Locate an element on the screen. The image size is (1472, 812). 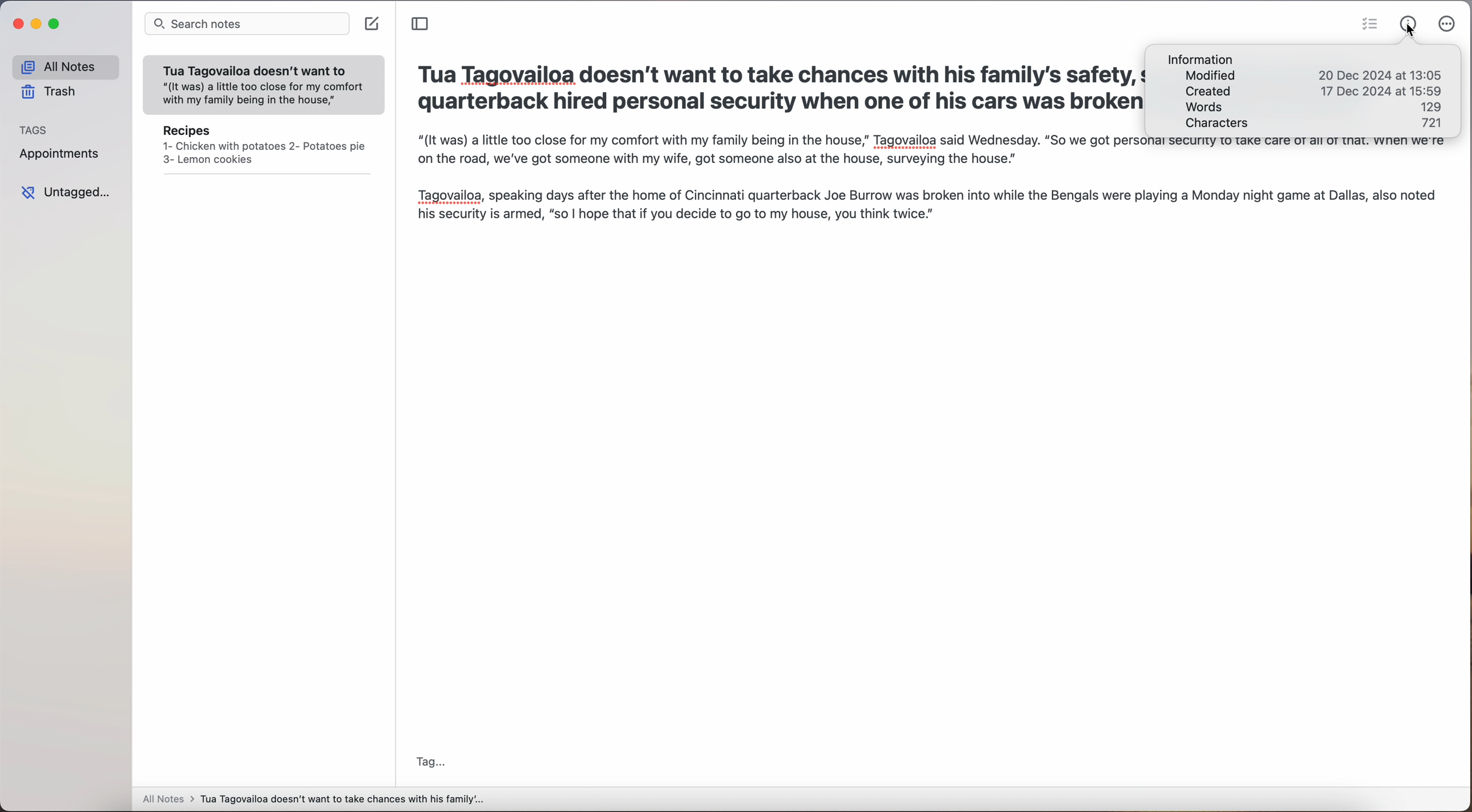
Tua Tagovailoa doesn’t want to take chances with his family's safety, so the Miami Dolphins’ star
quarterback hired personal security when one of his cars was broken into about a year ago. is located at coordinates (775, 89).